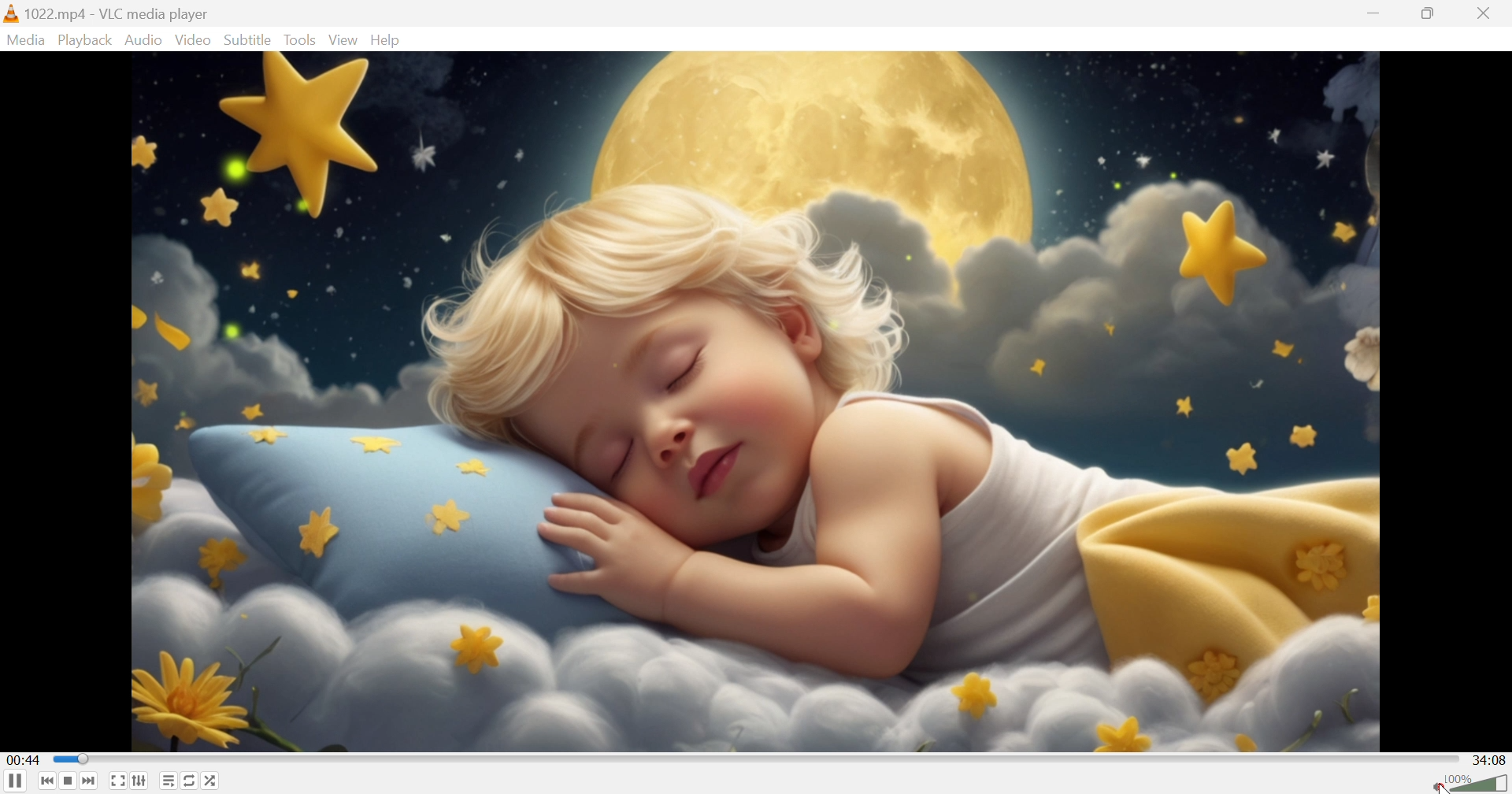 The width and height of the screenshot is (1512, 794). Describe the element at coordinates (302, 39) in the screenshot. I see `Tools` at that location.